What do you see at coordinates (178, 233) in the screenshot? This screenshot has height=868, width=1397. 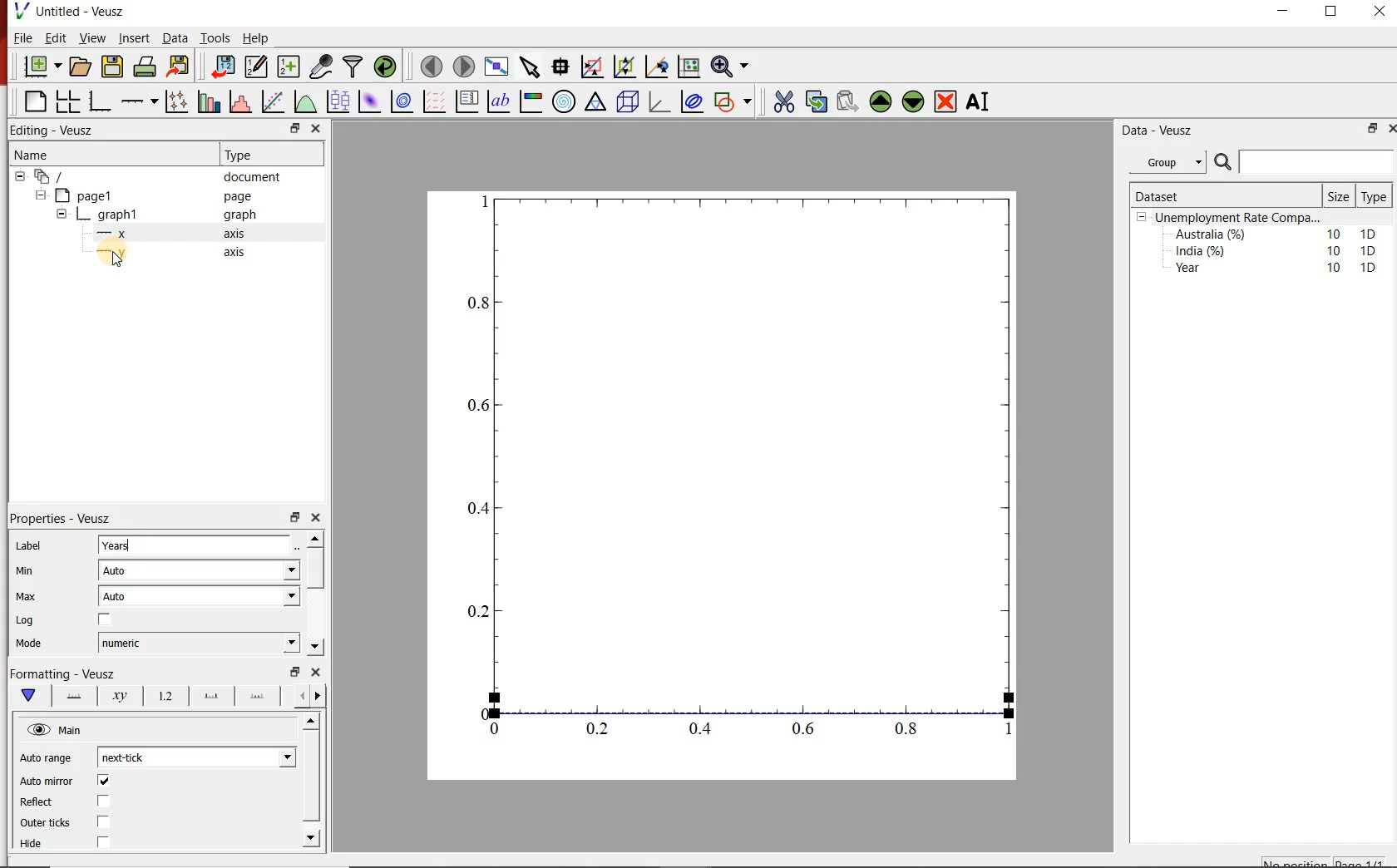 I see `x axis` at bounding box center [178, 233].